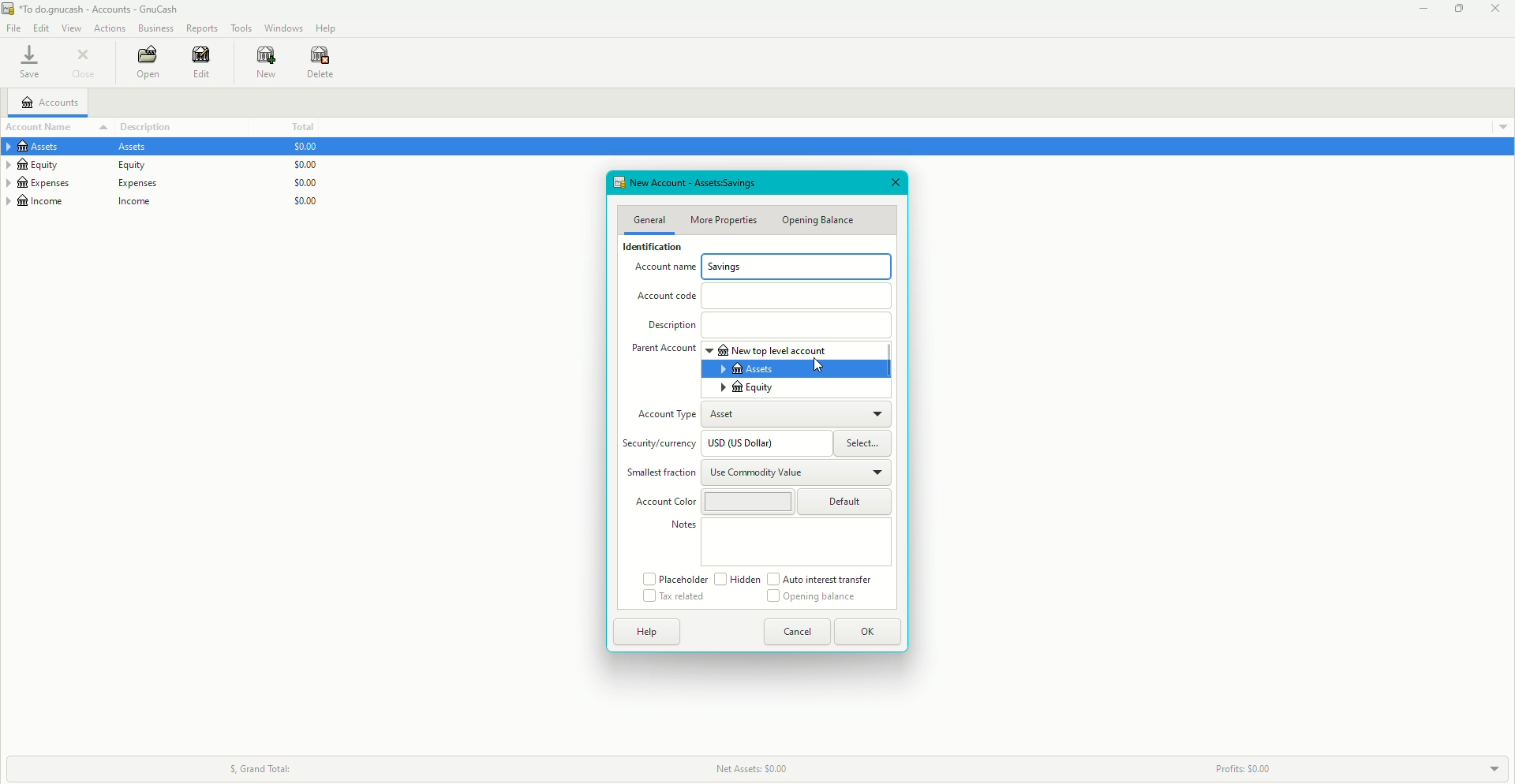  Describe the element at coordinates (663, 349) in the screenshot. I see `Parent account` at that location.